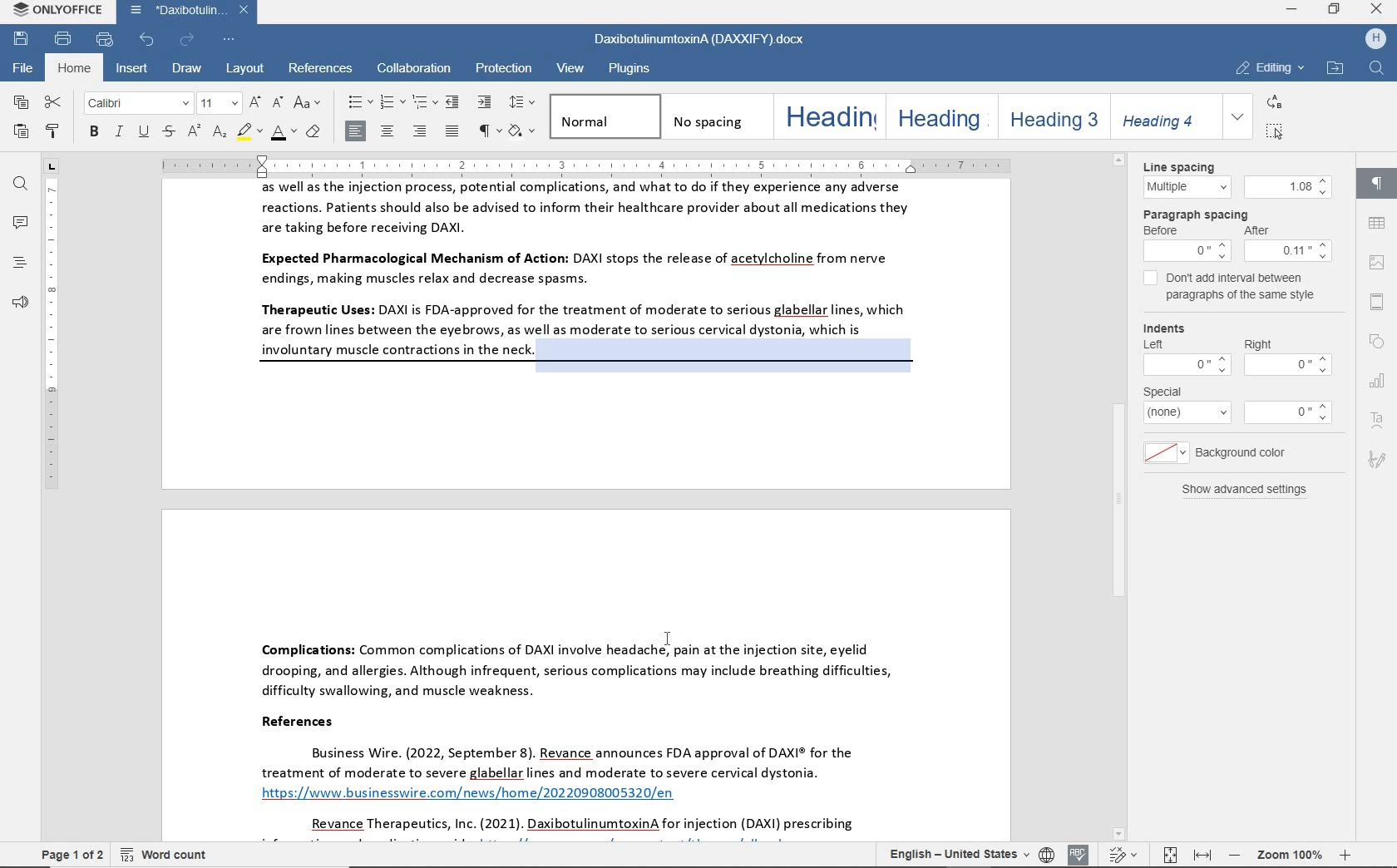 The width and height of the screenshot is (1397, 868). What do you see at coordinates (1275, 131) in the screenshot?
I see `select all` at bounding box center [1275, 131].